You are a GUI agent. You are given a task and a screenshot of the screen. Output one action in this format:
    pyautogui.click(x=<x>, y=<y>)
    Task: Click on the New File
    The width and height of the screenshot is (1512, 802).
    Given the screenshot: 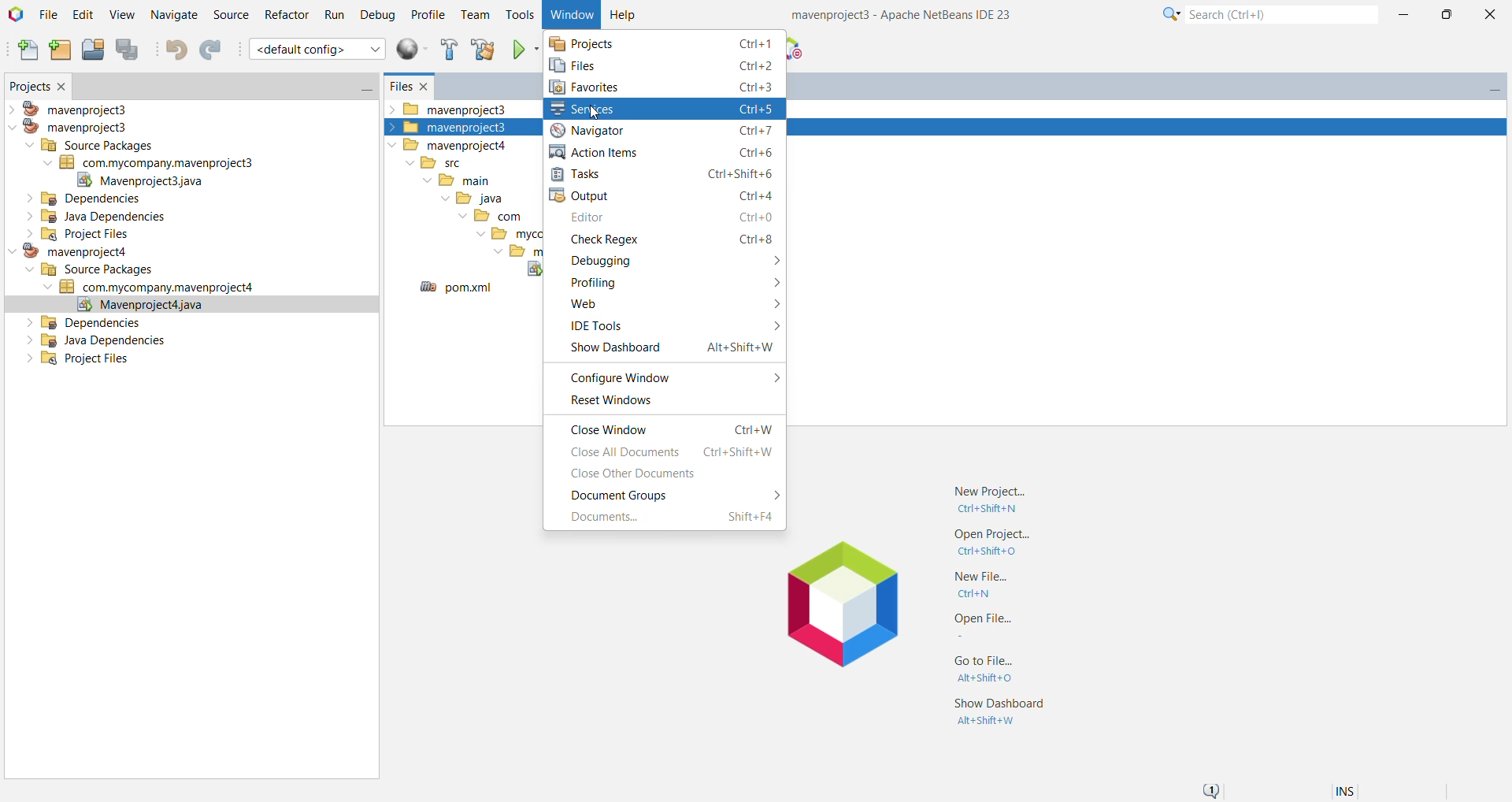 What is the action you would take?
    pyautogui.click(x=24, y=51)
    